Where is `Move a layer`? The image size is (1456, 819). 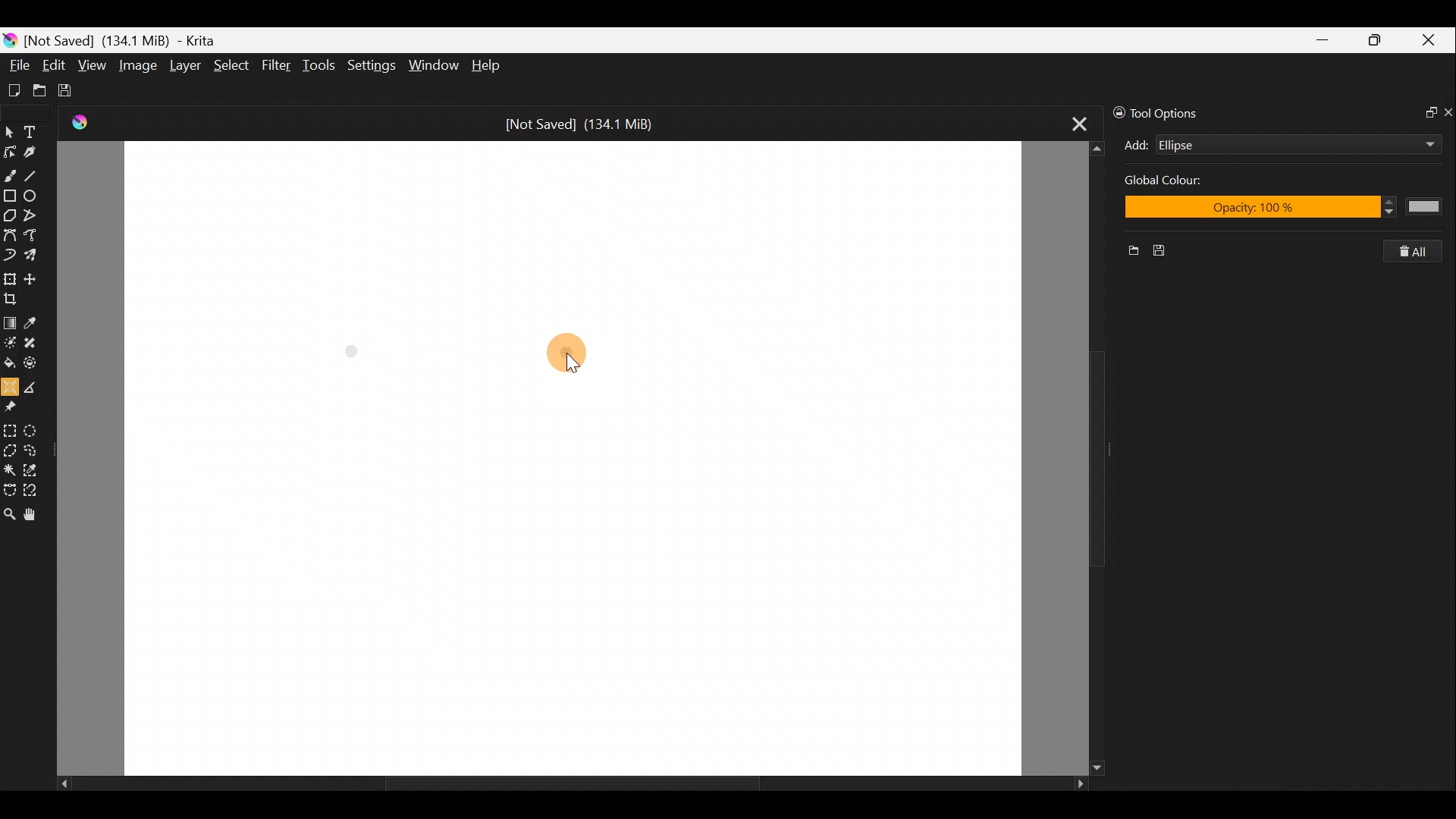 Move a layer is located at coordinates (33, 276).